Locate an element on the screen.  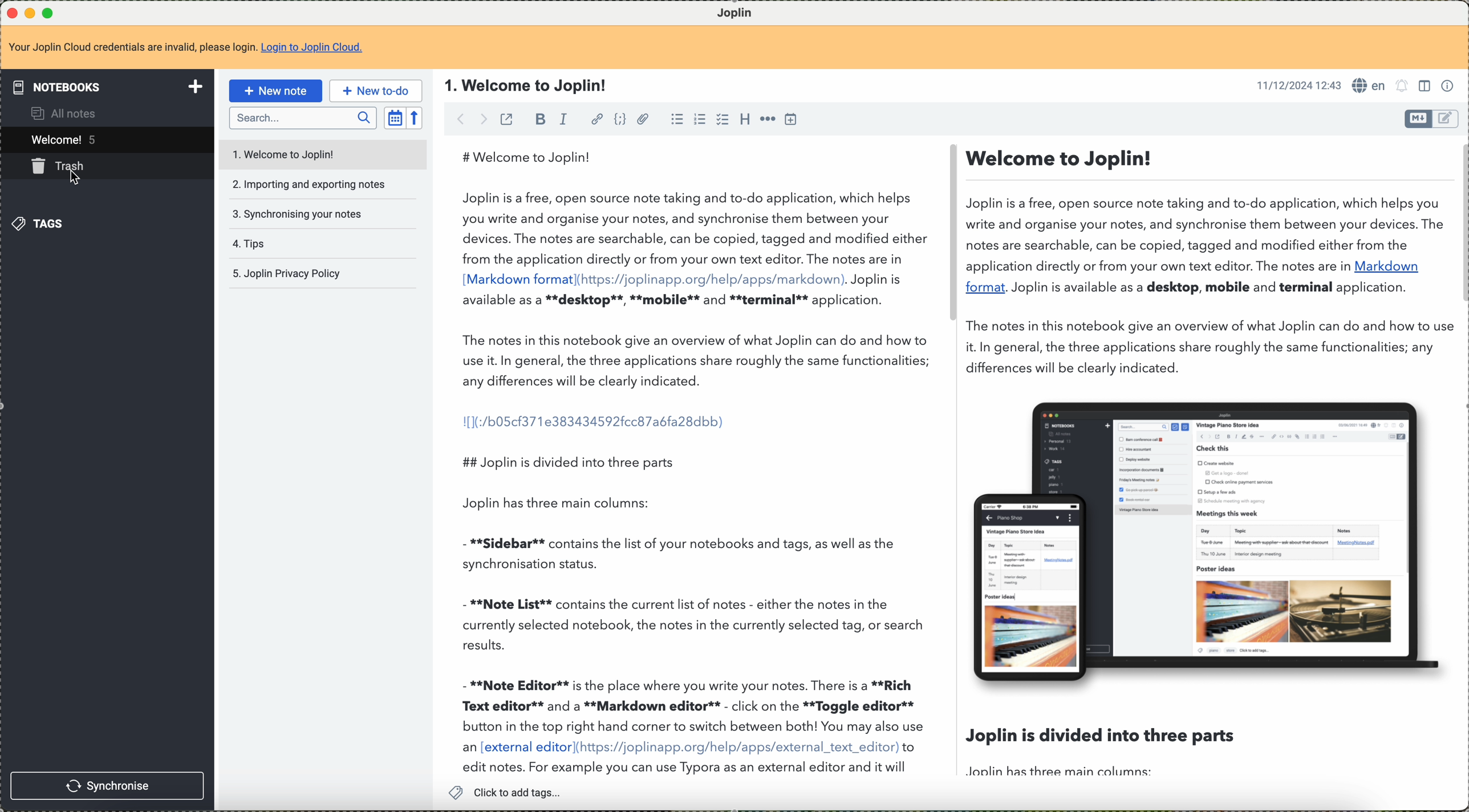
click on trash is located at coordinates (88, 169).